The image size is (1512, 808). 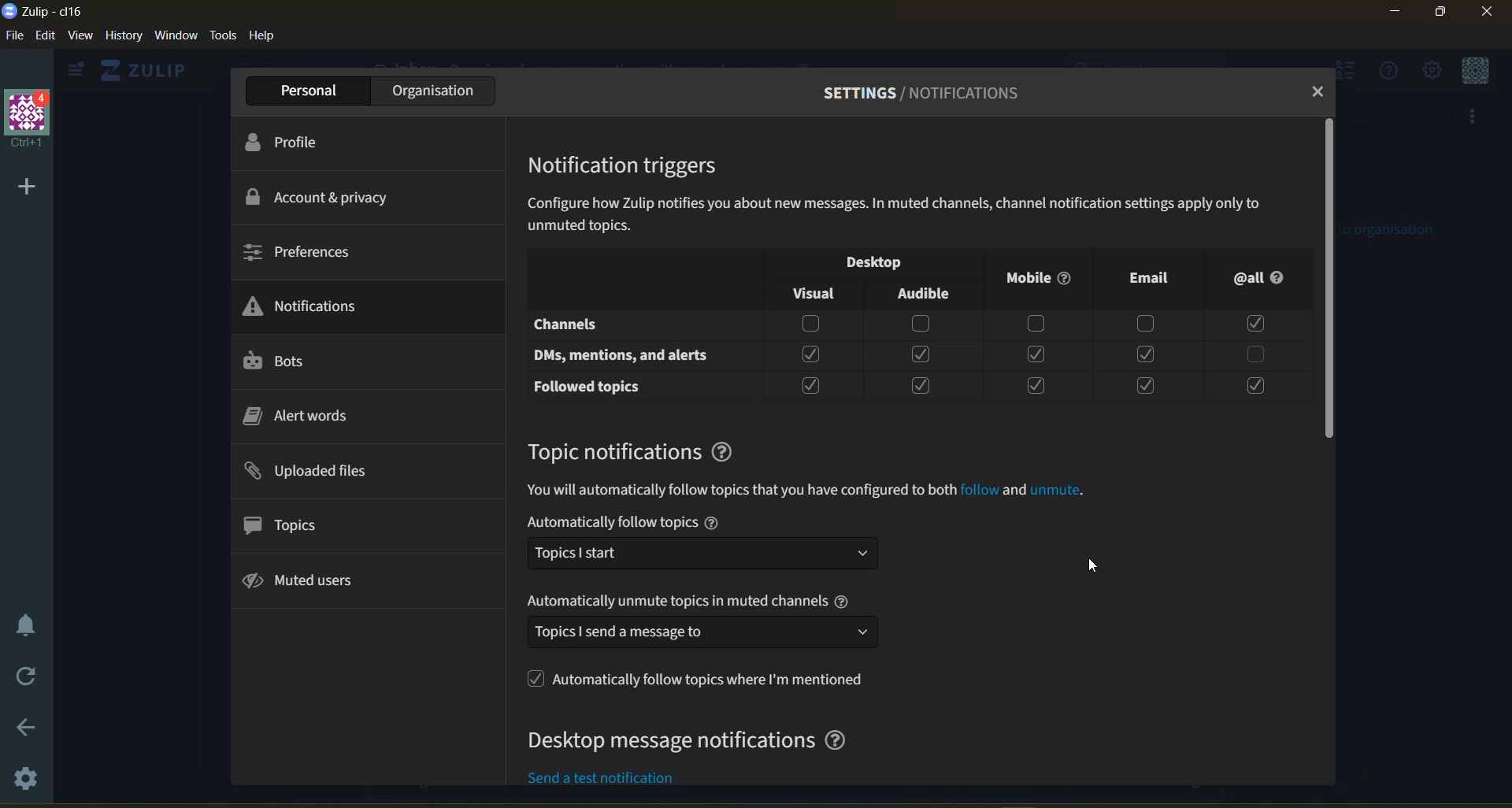 What do you see at coordinates (147, 70) in the screenshot?
I see `home view` at bounding box center [147, 70].